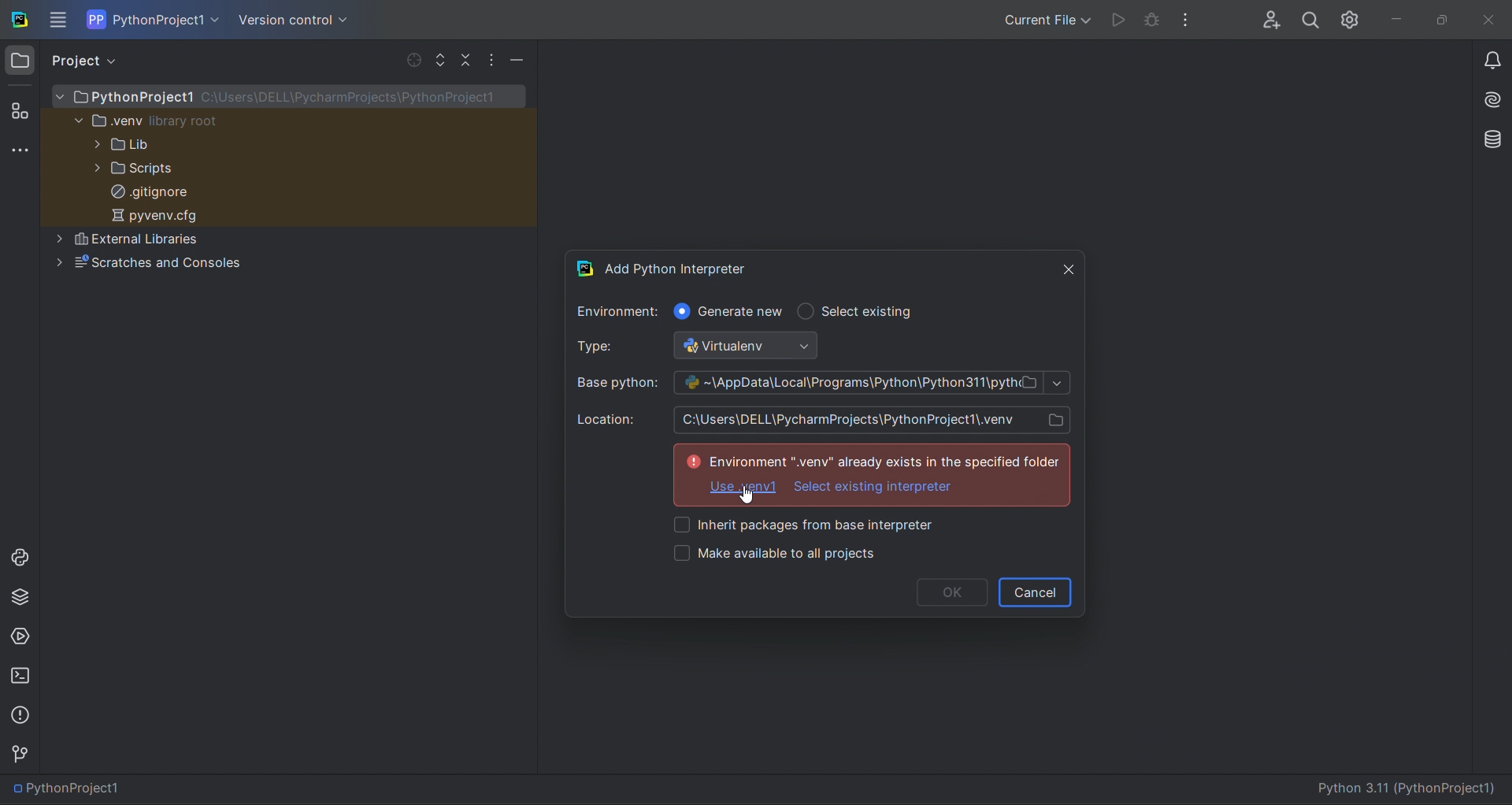 The width and height of the screenshot is (1512, 805). I want to click on run, so click(1115, 20).